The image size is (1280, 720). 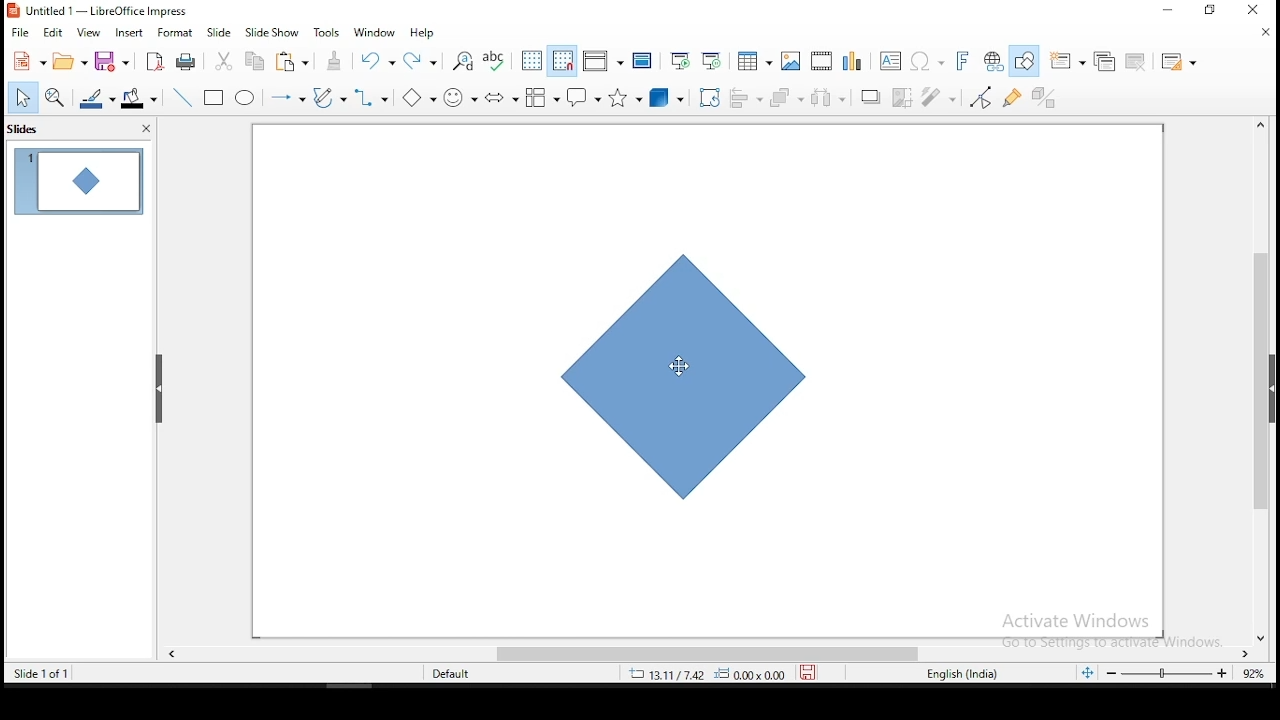 What do you see at coordinates (712, 654) in the screenshot?
I see `scroll bar` at bounding box center [712, 654].